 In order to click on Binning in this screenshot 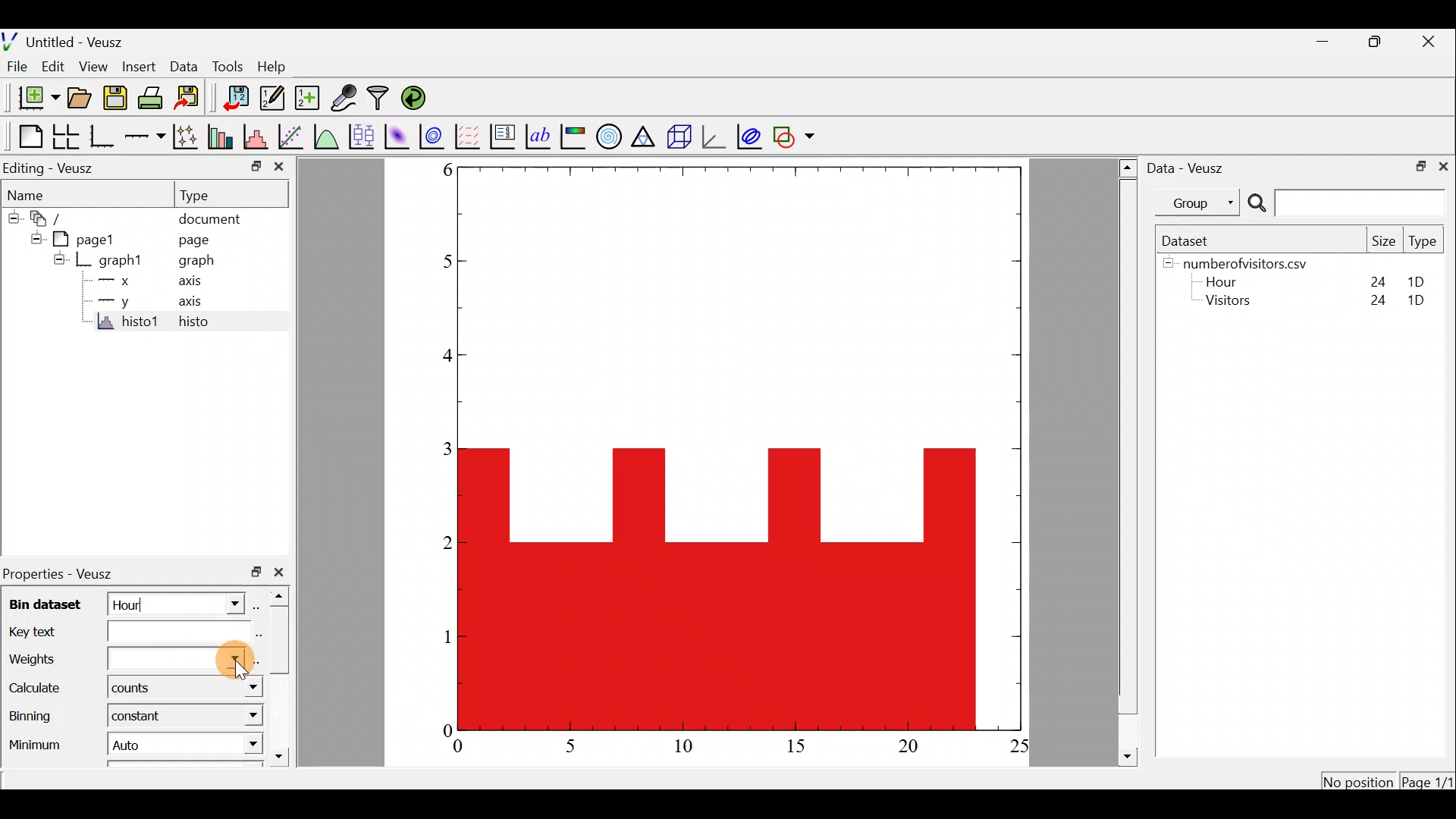, I will do `click(33, 720)`.